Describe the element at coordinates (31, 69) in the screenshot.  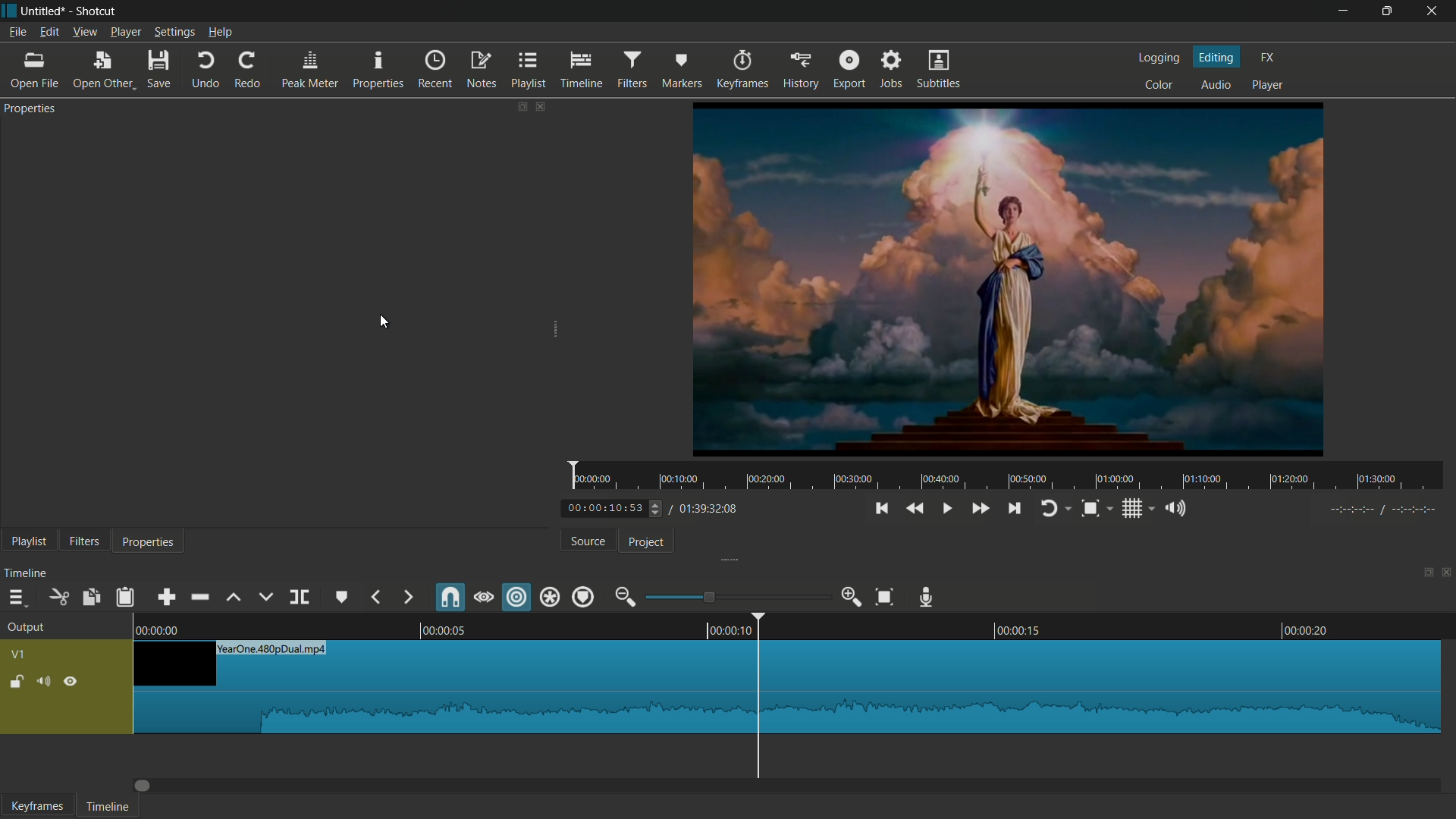
I see `open file` at that location.